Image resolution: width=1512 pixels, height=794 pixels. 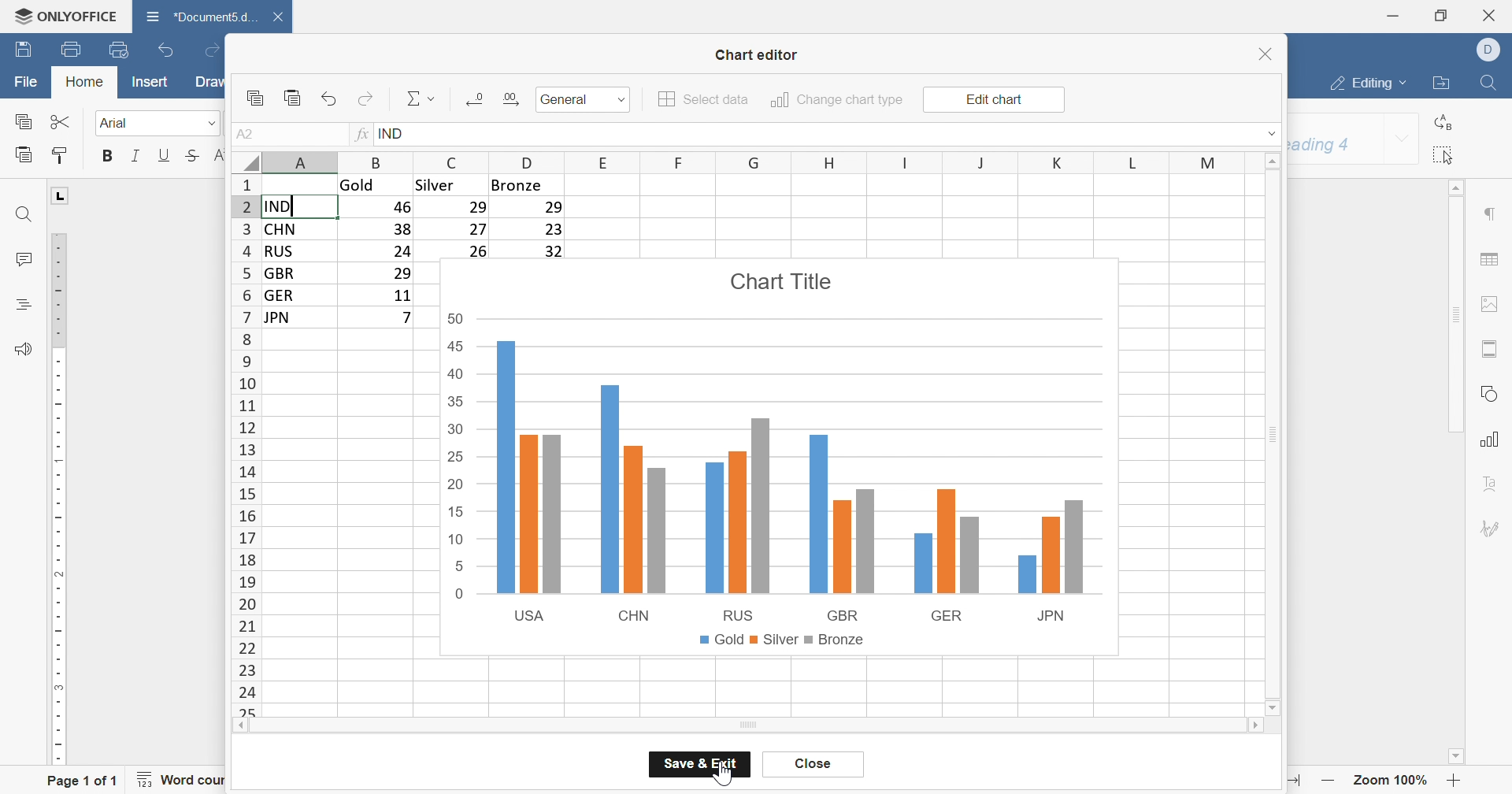 I want to click on fit to width, so click(x=1293, y=781).